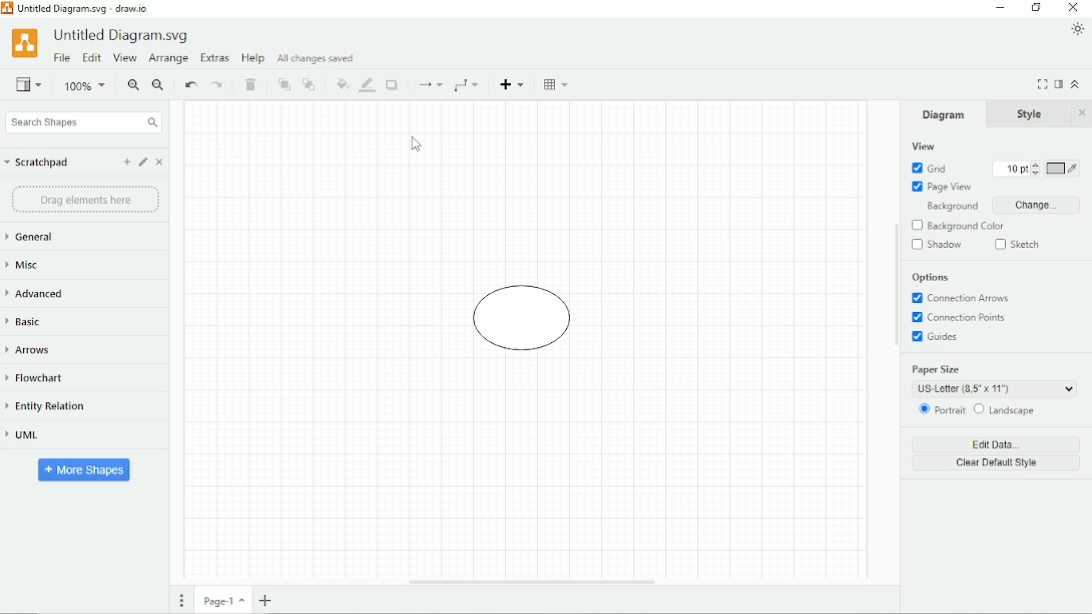  Describe the element at coordinates (558, 85) in the screenshot. I see `Table` at that location.